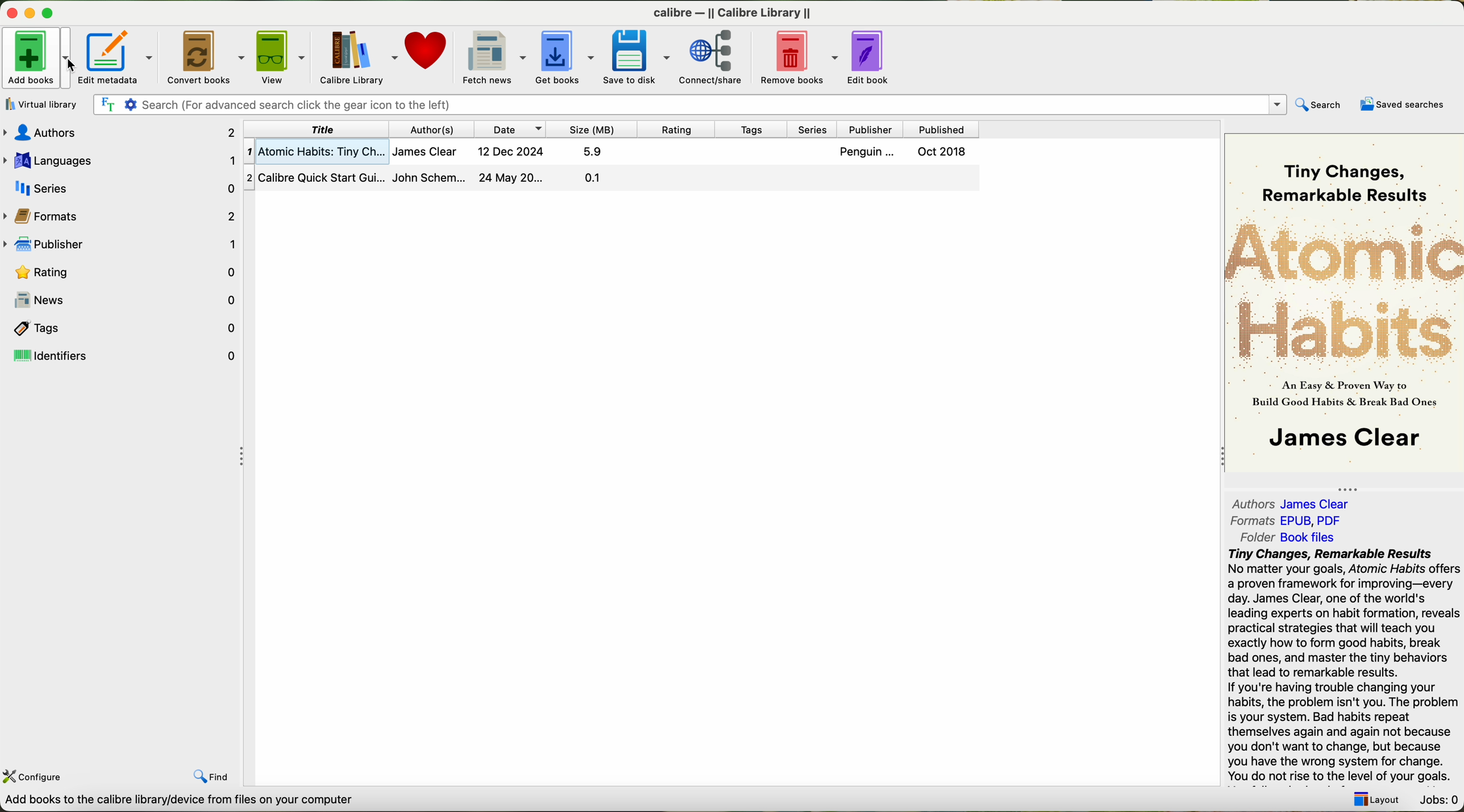 The image size is (1464, 812). I want to click on news, so click(121, 300).